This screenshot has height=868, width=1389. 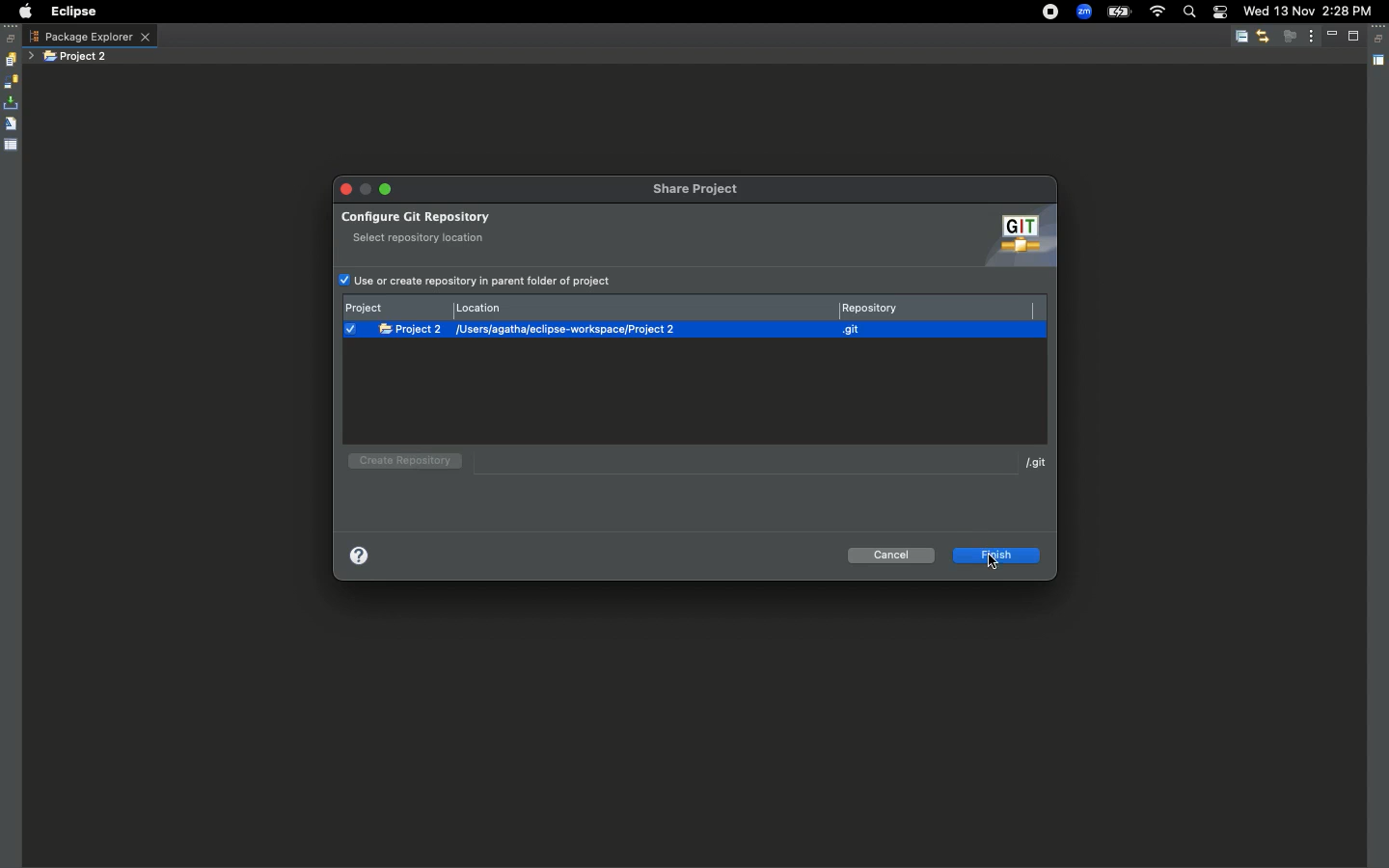 I want to click on Close, so click(x=348, y=189).